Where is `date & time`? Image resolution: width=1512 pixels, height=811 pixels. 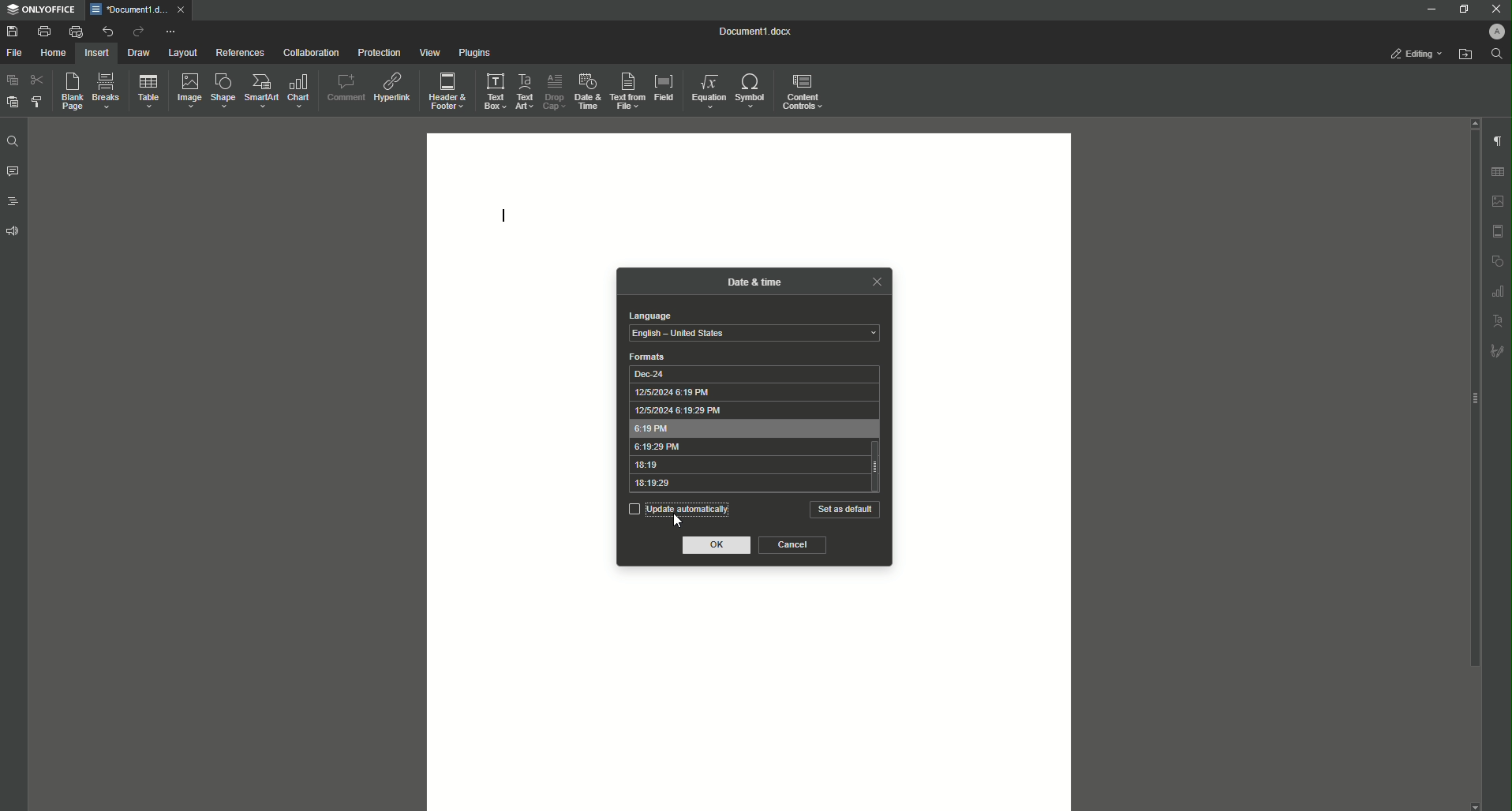 date & time is located at coordinates (755, 280).